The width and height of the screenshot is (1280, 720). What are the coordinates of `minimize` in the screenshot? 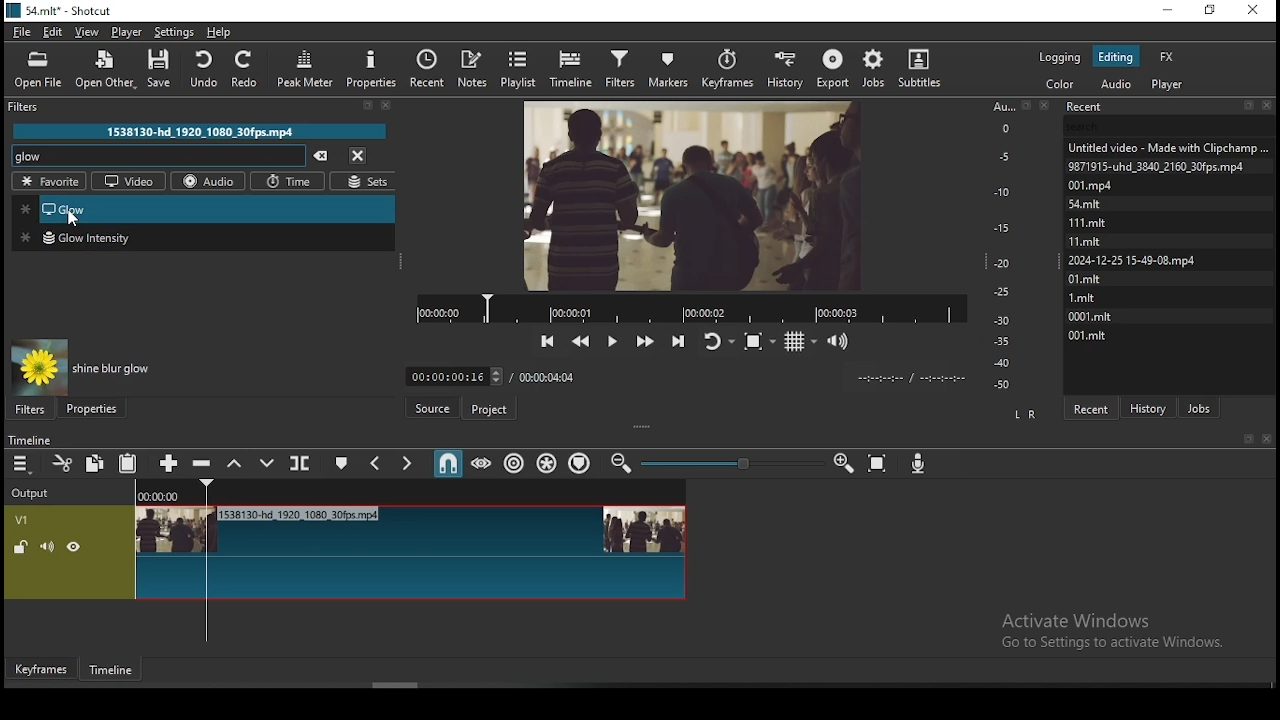 It's located at (1166, 11).